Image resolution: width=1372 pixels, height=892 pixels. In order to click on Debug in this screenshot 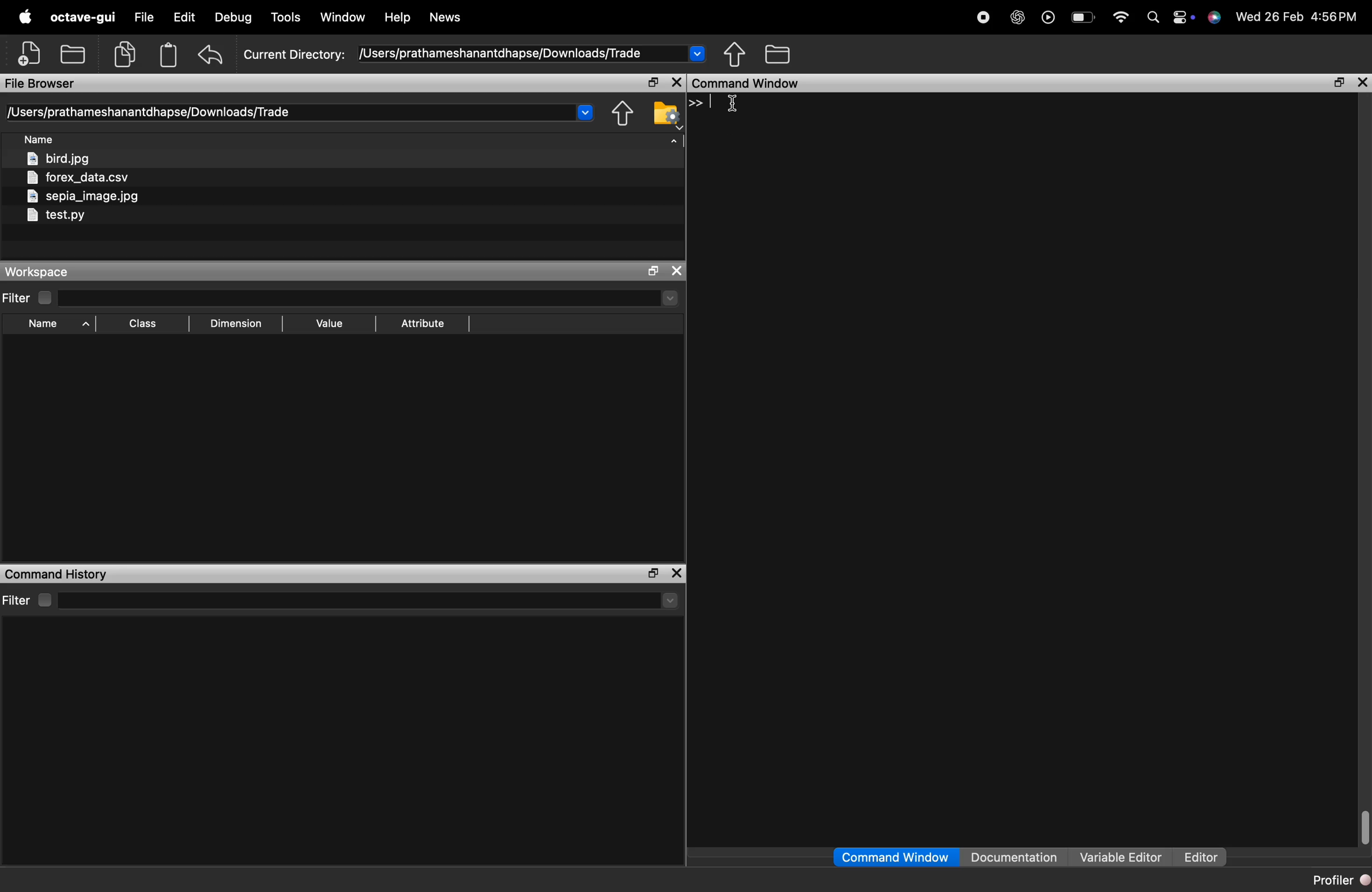, I will do `click(233, 18)`.